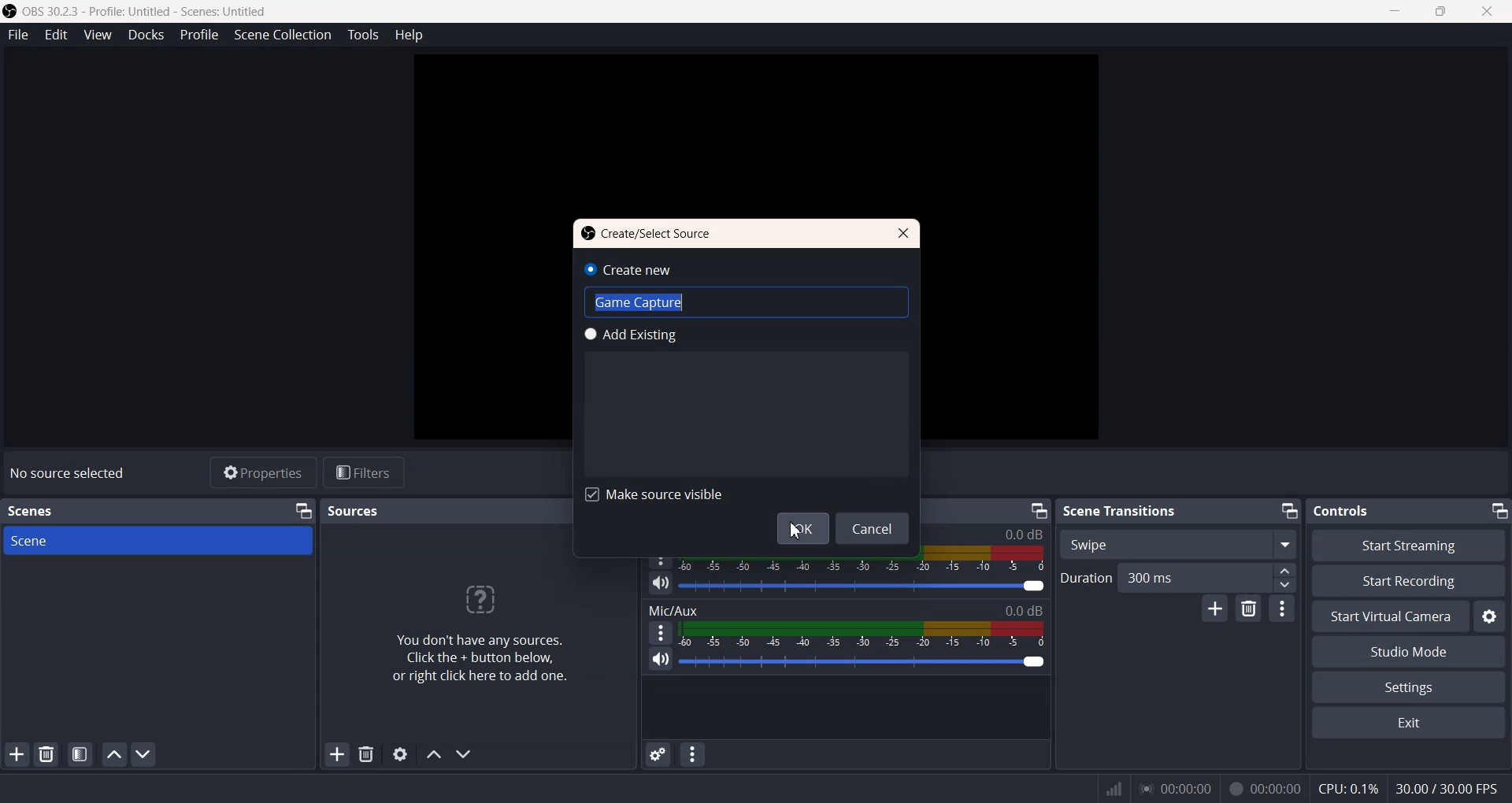 Image resolution: width=1512 pixels, height=803 pixels. What do you see at coordinates (861, 661) in the screenshot?
I see `Volume Adjuster` at bounding box center [861, 661].